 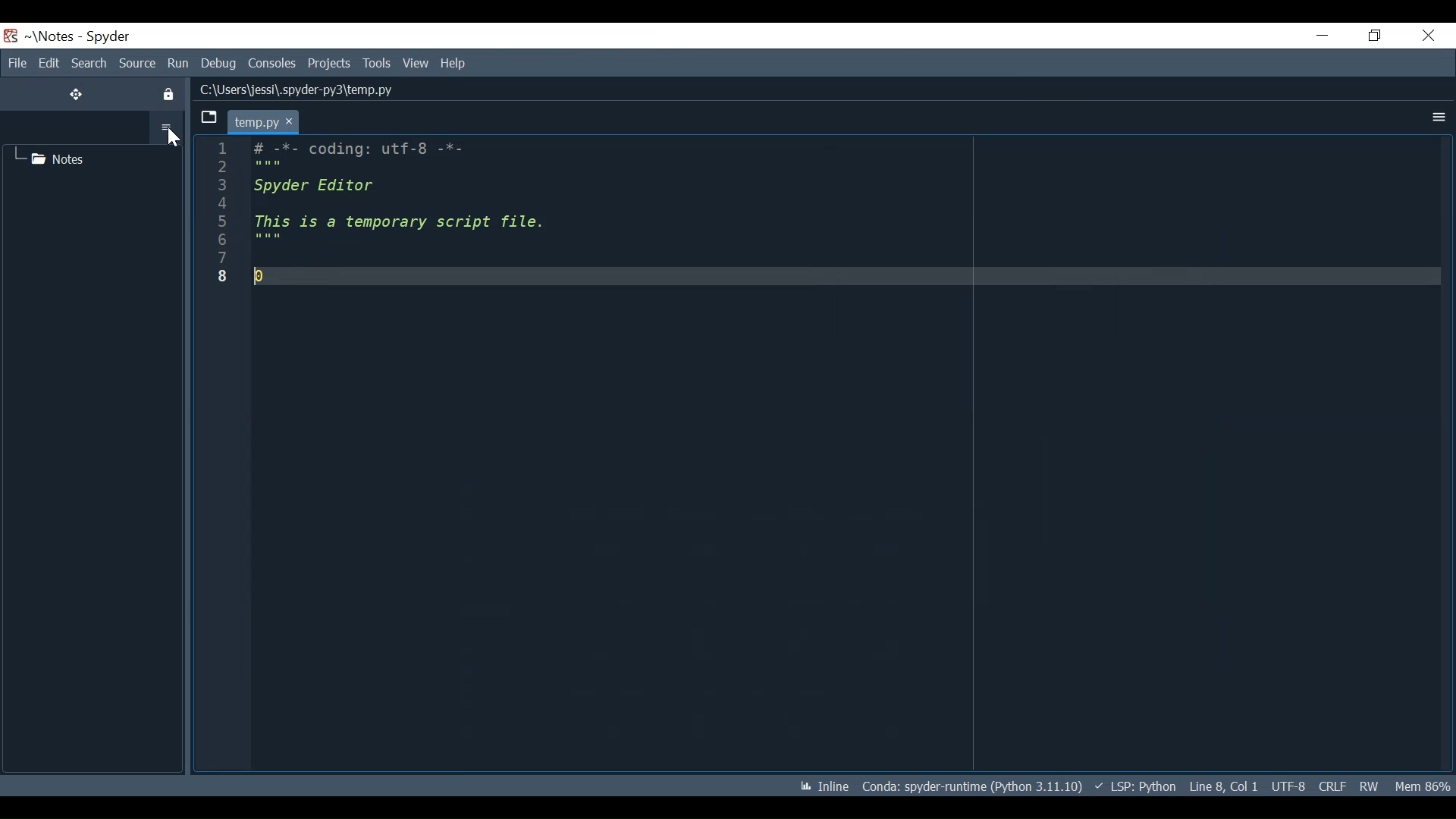 What do you see at coordinates (416, 64) in the screenshot?
I see `View` at bounding box center [416, 64].